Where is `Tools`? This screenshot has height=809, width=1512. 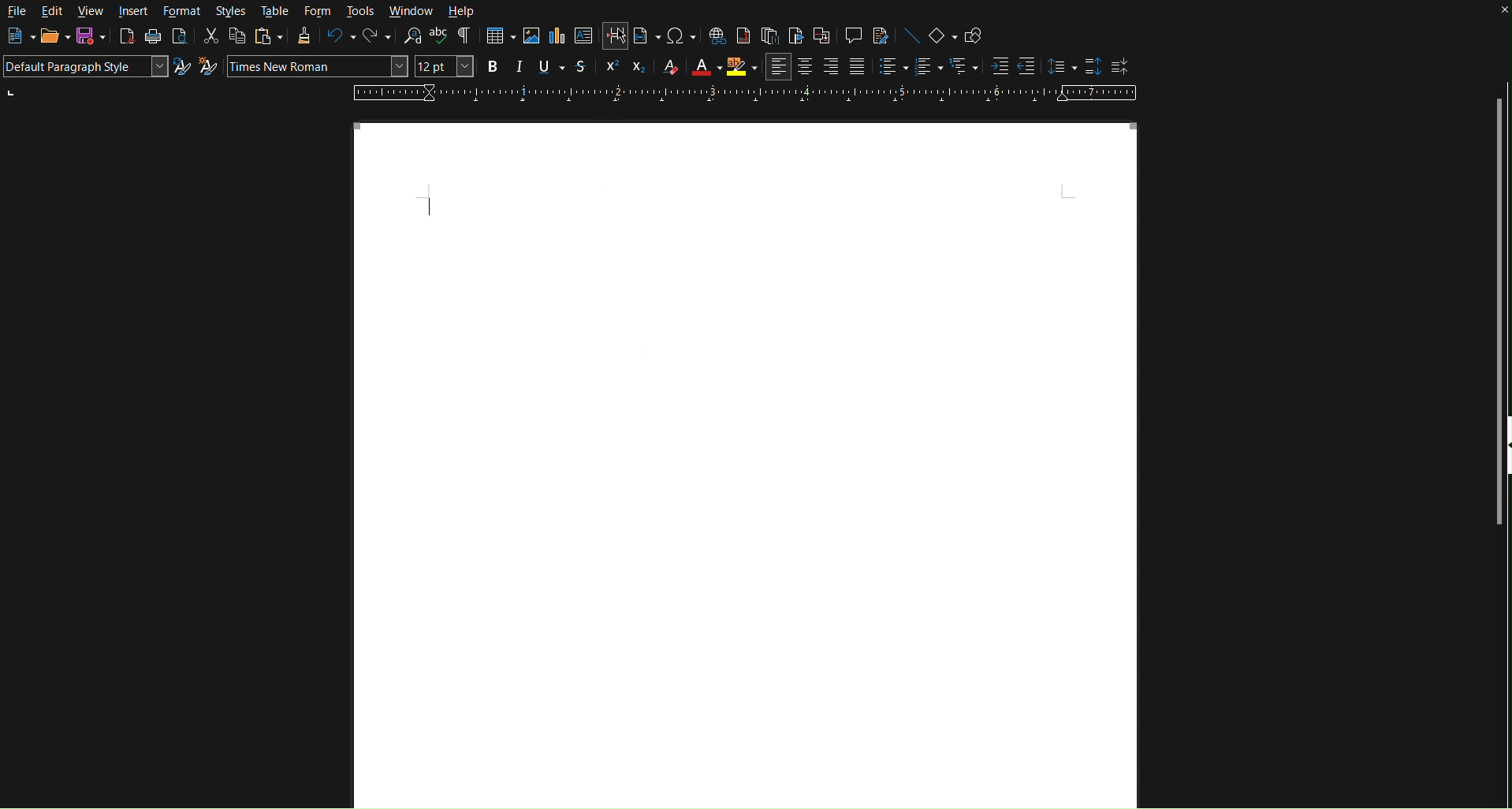 Tools is located at coordinates (359, 11).